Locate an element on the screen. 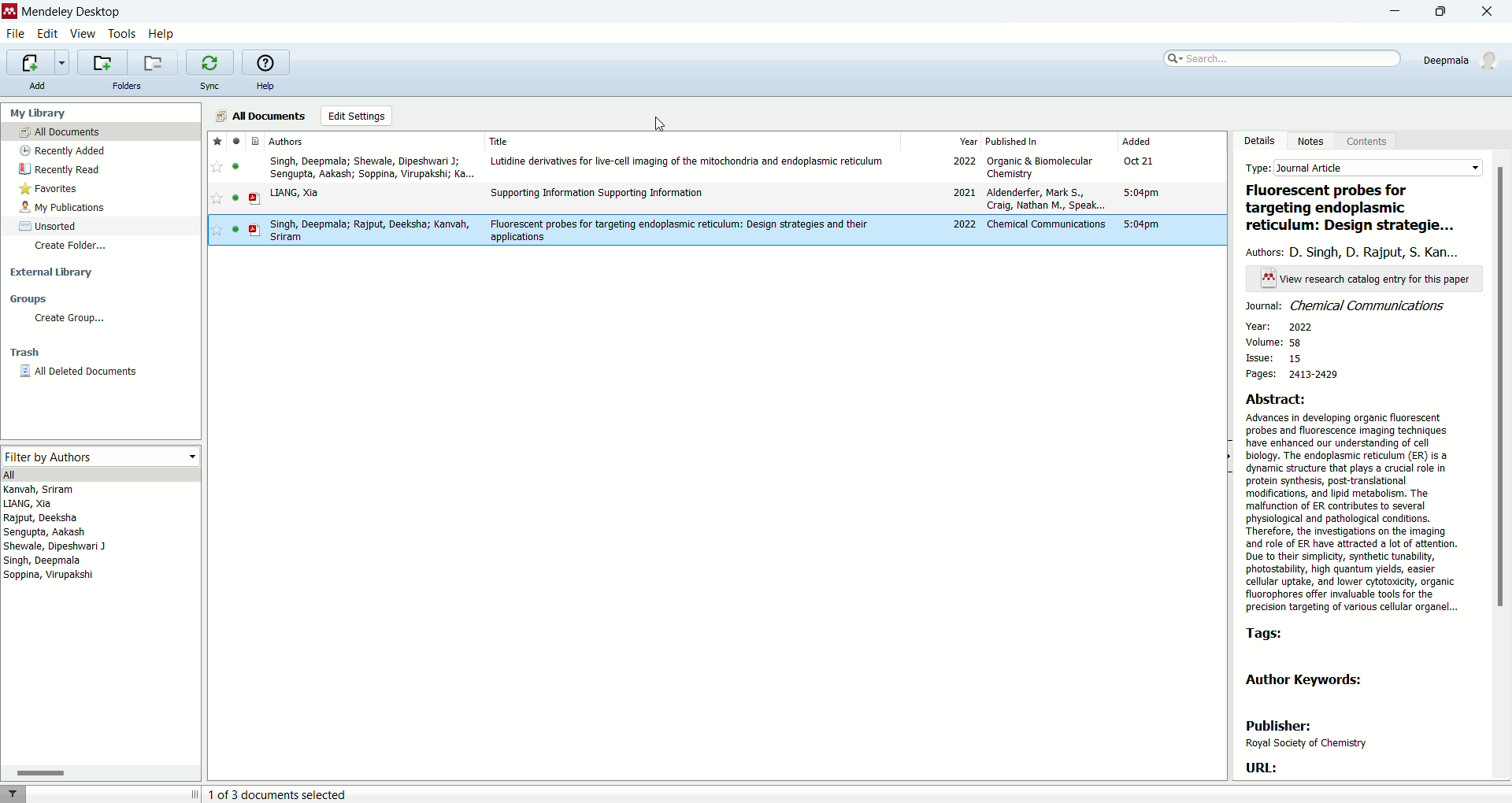 Image resolution: width=1512 pixels, height=803 pixels. y LIANG, Xia is located at coordinates (306, 193).